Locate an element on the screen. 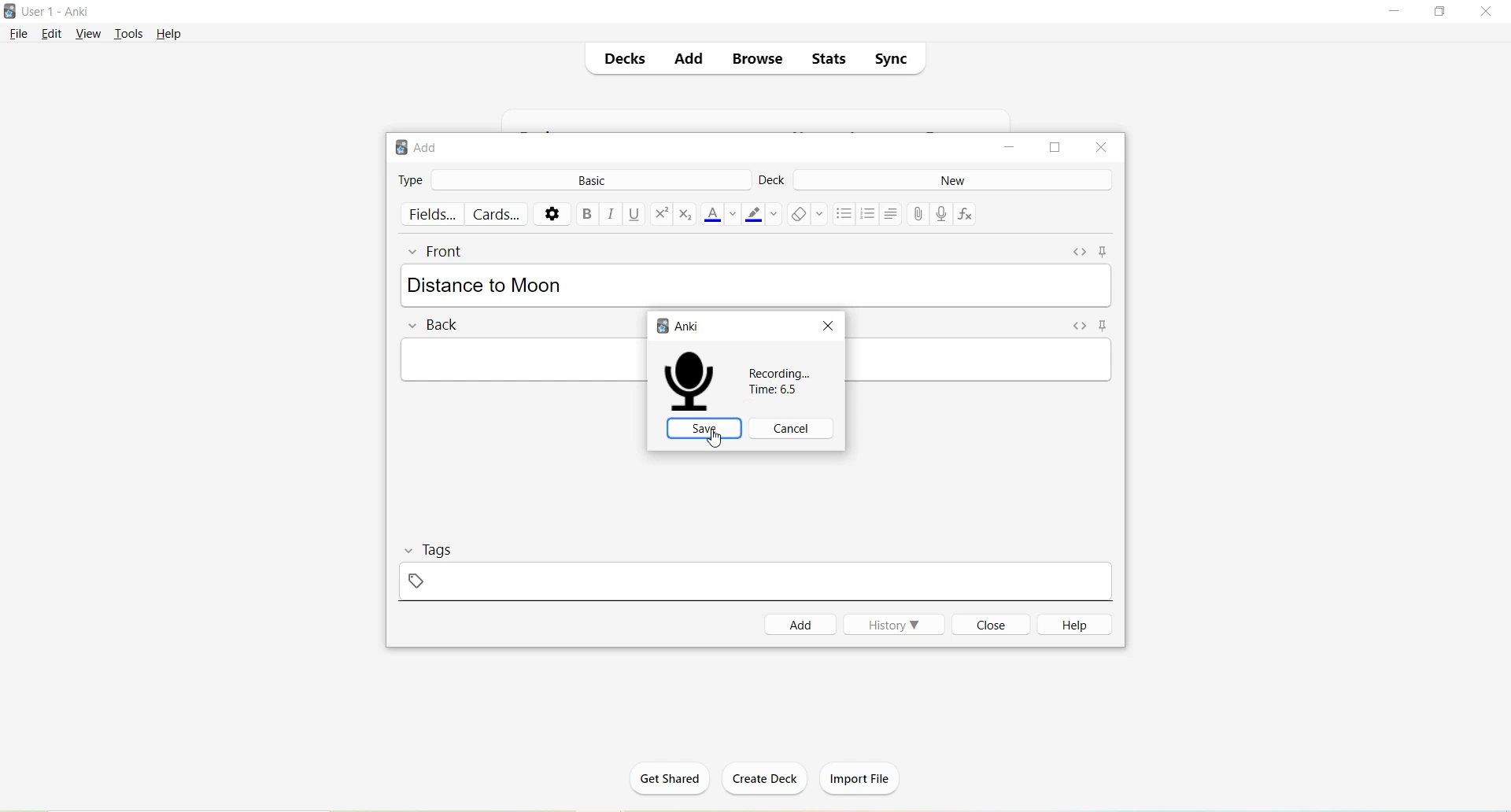 This screenshot has height=812, width=1511. Unordered list is located at coordinates (843, 214).